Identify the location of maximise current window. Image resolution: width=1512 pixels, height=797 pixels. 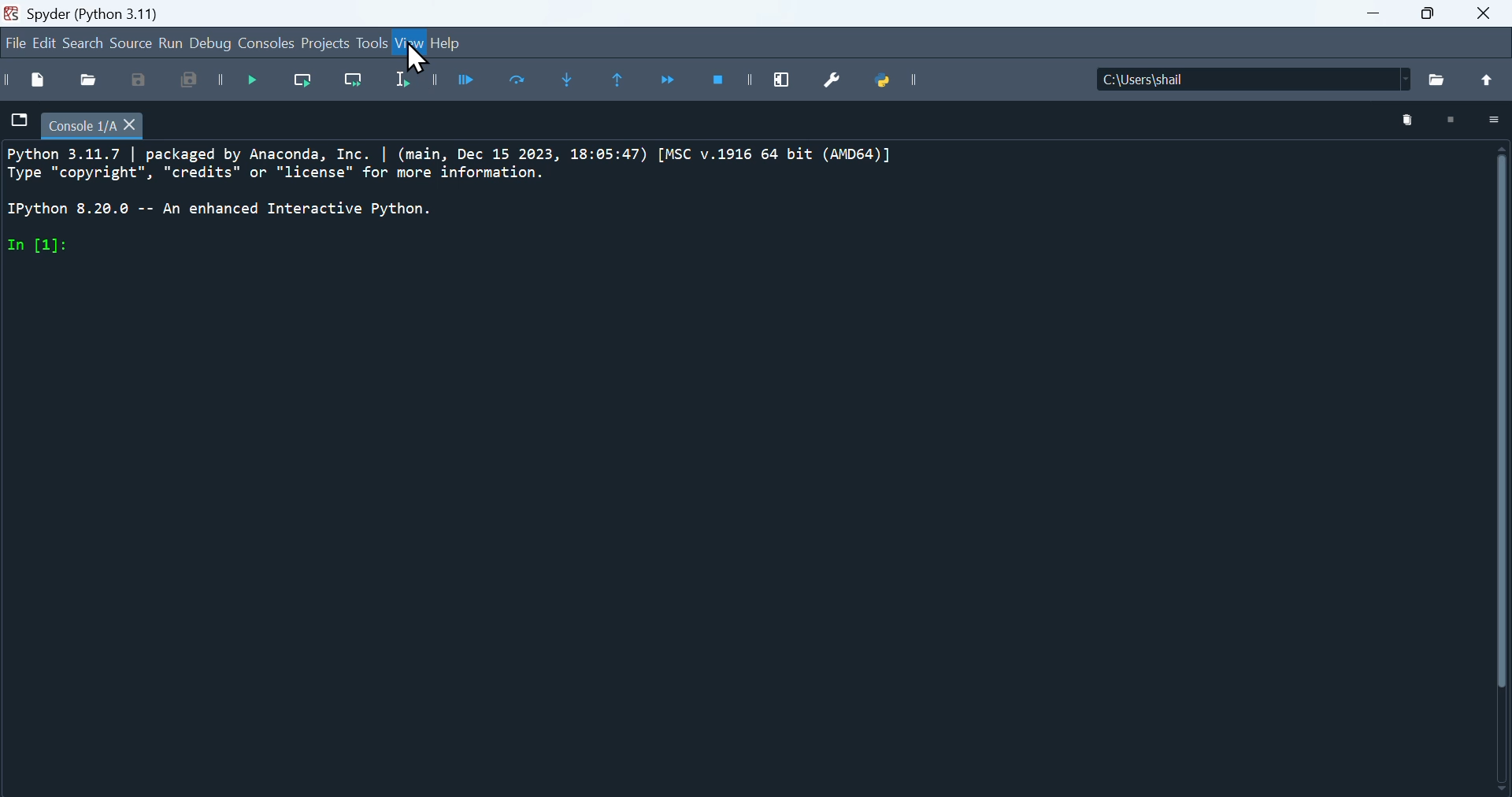
(787, 78).